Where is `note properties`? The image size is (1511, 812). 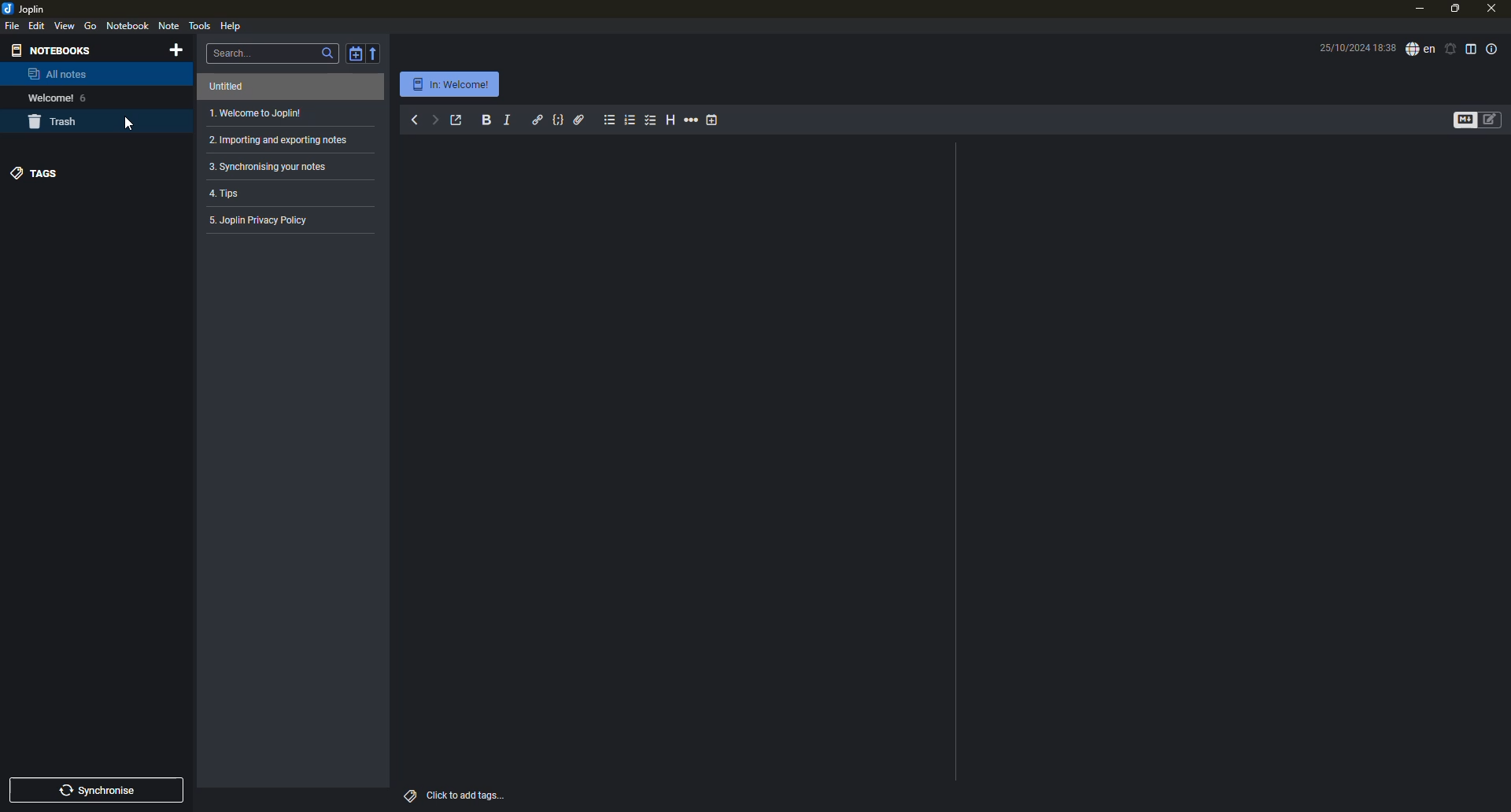
note properties is located at coordinates (1493, 48).